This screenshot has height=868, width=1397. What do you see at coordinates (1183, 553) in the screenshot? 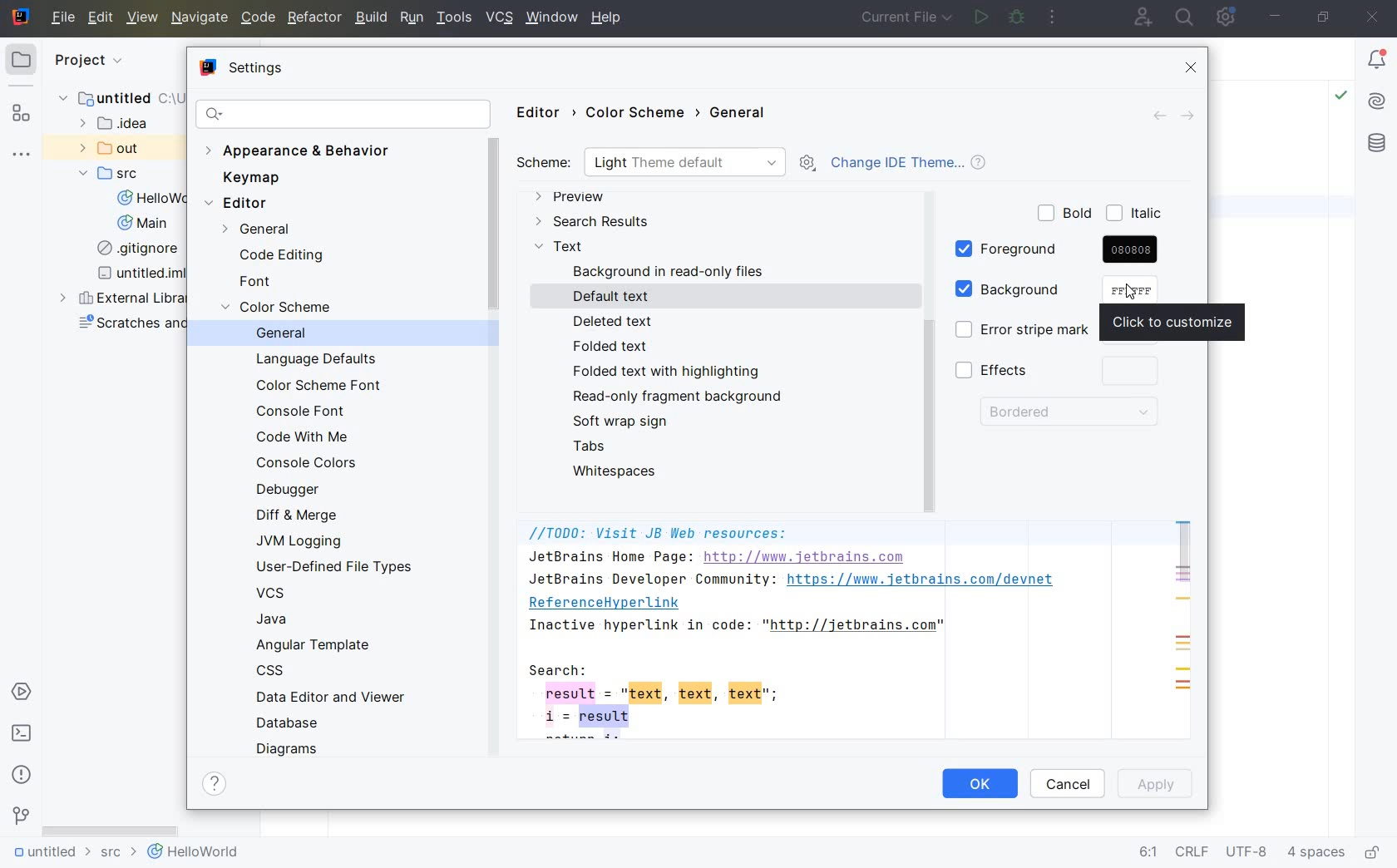
I see `SCROLLBAR` at bounding box center [1183, 553].